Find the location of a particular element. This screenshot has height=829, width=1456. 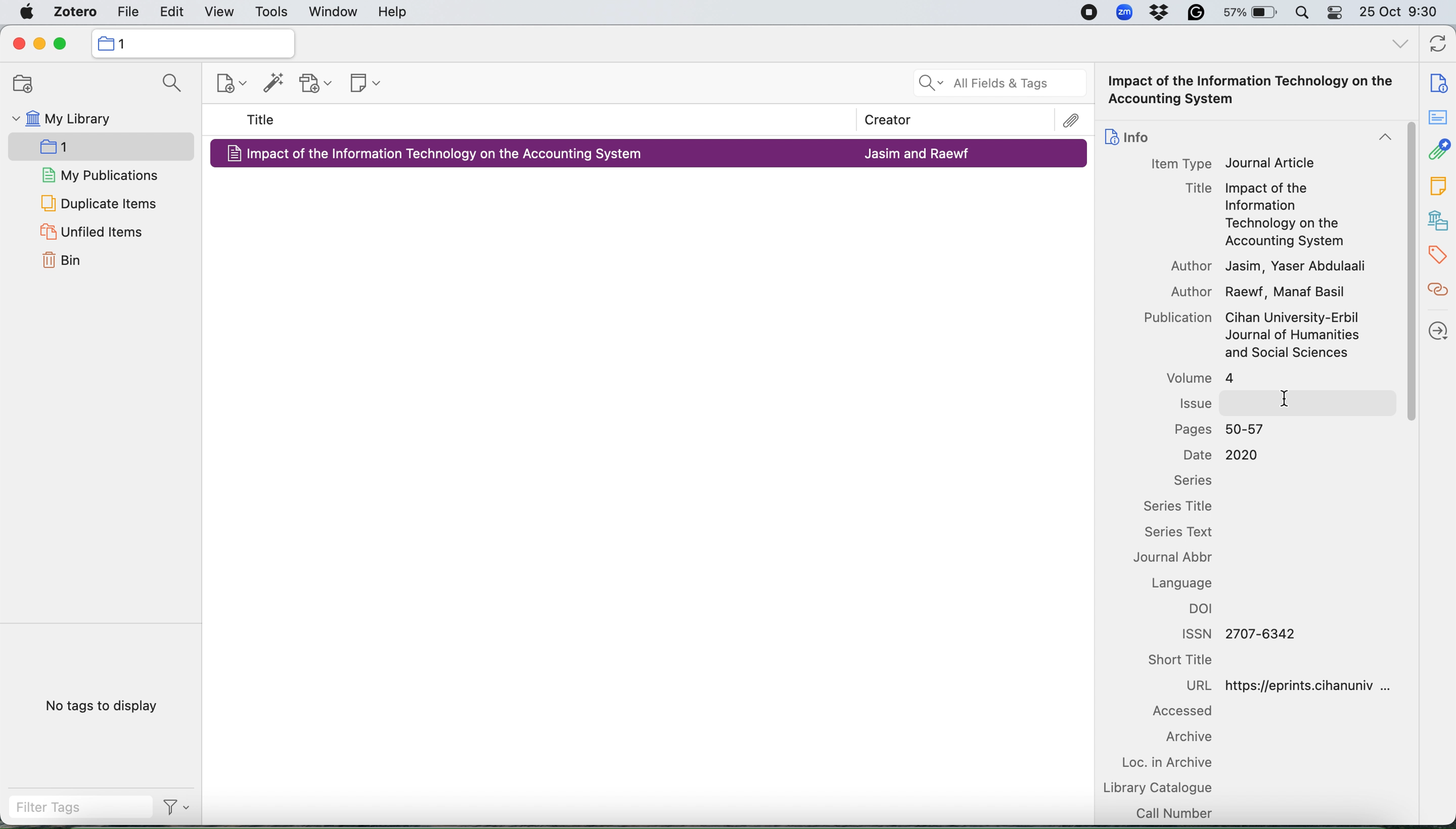

url is located at coordinates (1298, 684).